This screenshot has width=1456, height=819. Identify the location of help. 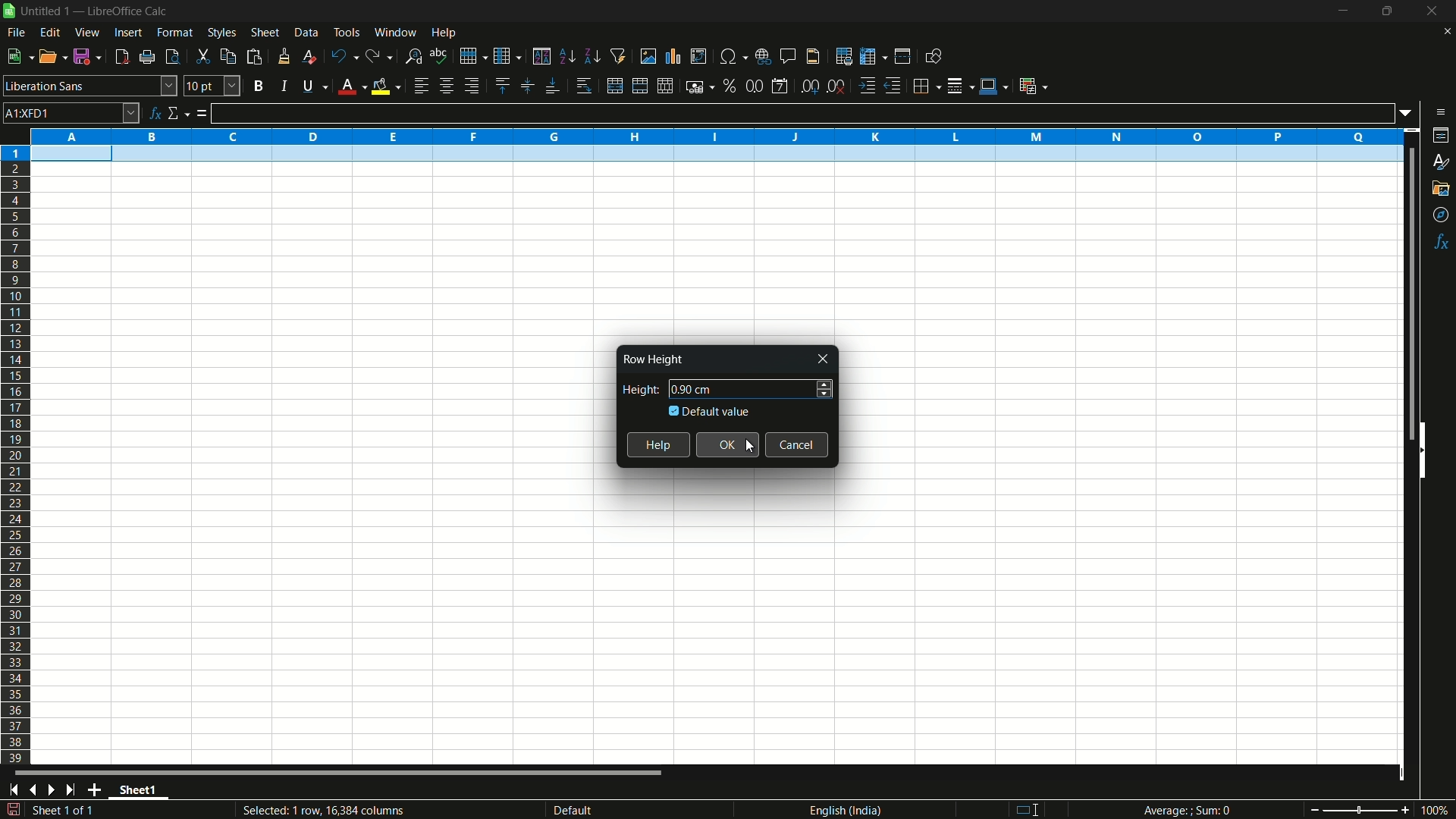
(658, 445).